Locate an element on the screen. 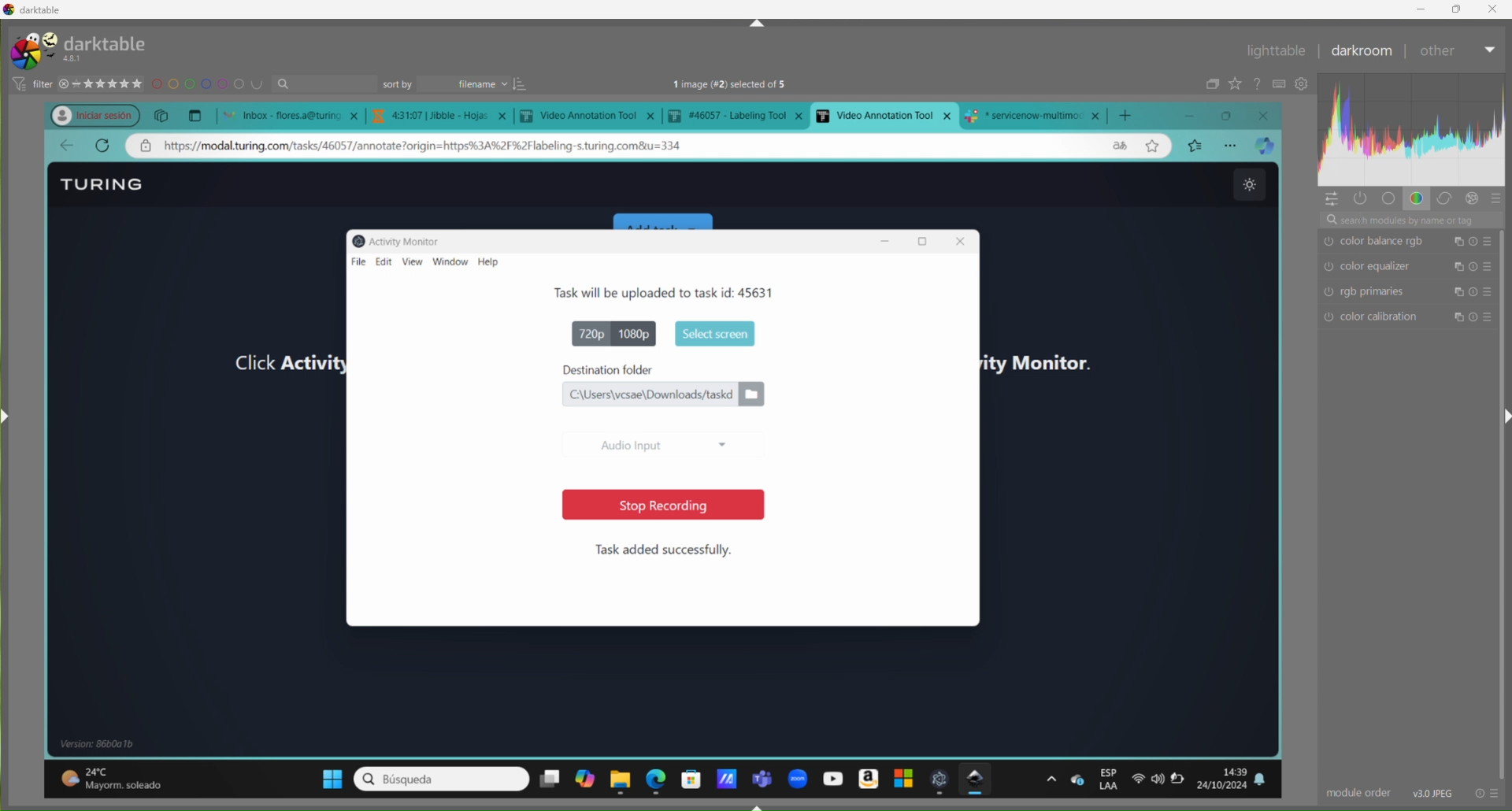 The image size is (1512, 811). tab is located at coordinates (1038, 114).